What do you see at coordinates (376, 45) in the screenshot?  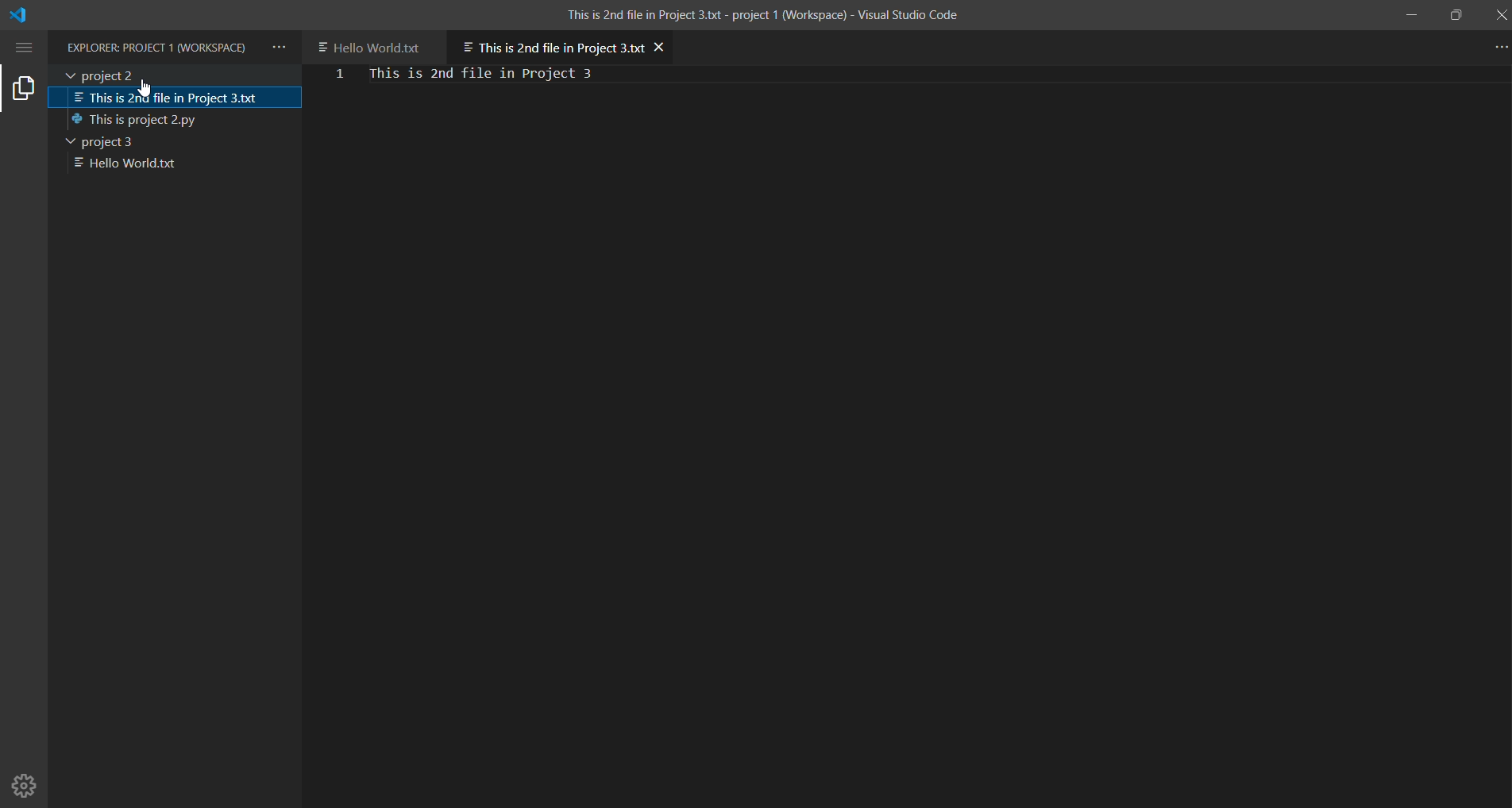 I see `another file in project` at bounding box center [376, 45].